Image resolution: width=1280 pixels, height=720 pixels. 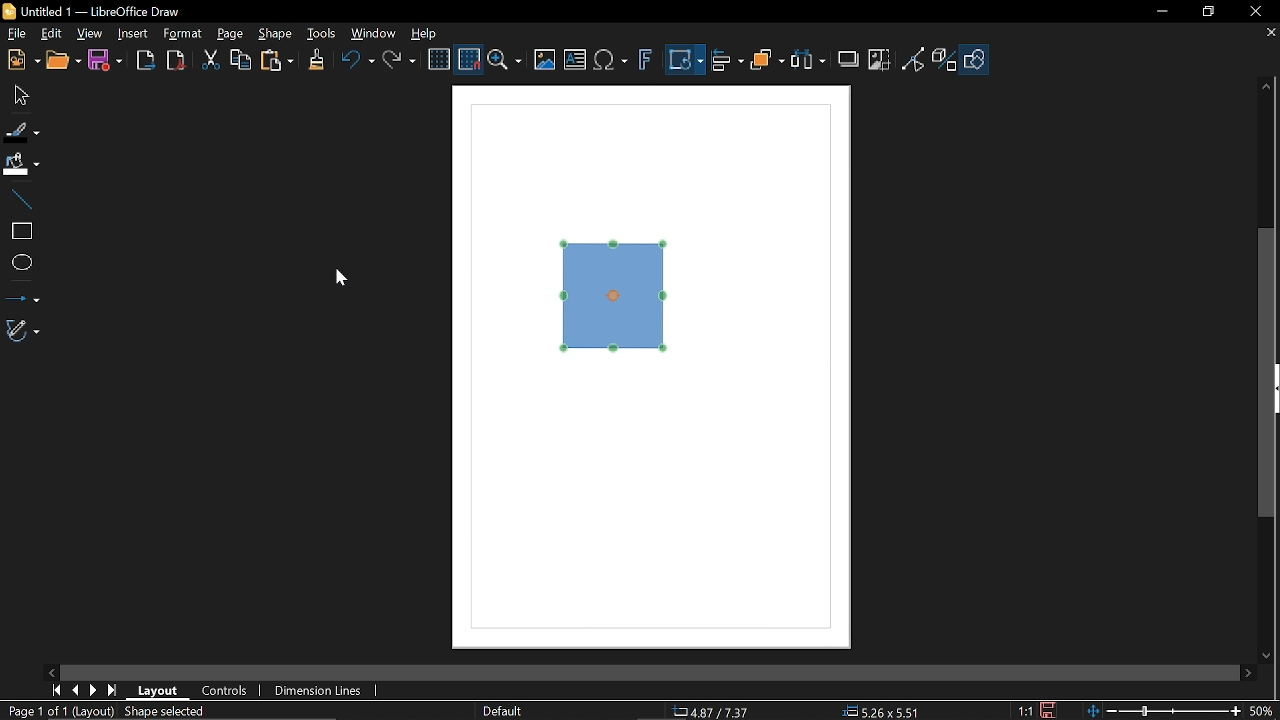 What do you see at coordinates (398, 62) in the screenshot?
I see `Redo` at bounding box center [398, 62].